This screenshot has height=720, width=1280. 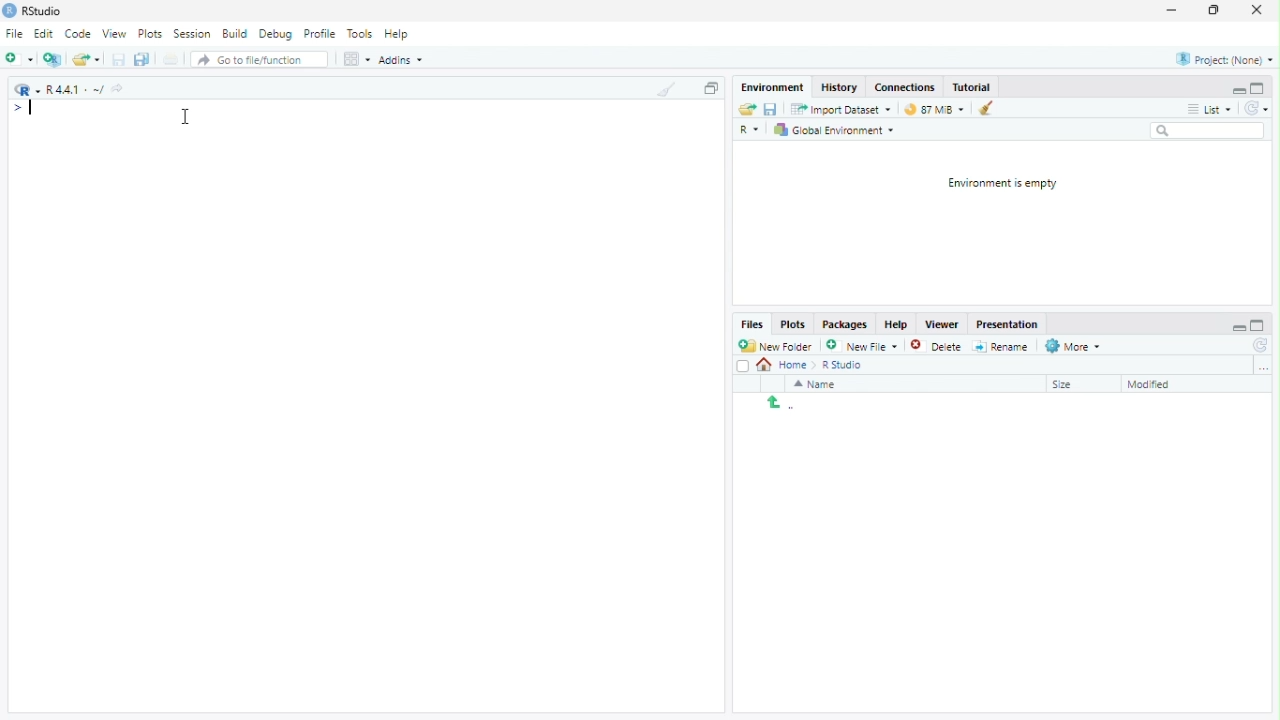 I want to click on Save, so click(x=770, y=109).